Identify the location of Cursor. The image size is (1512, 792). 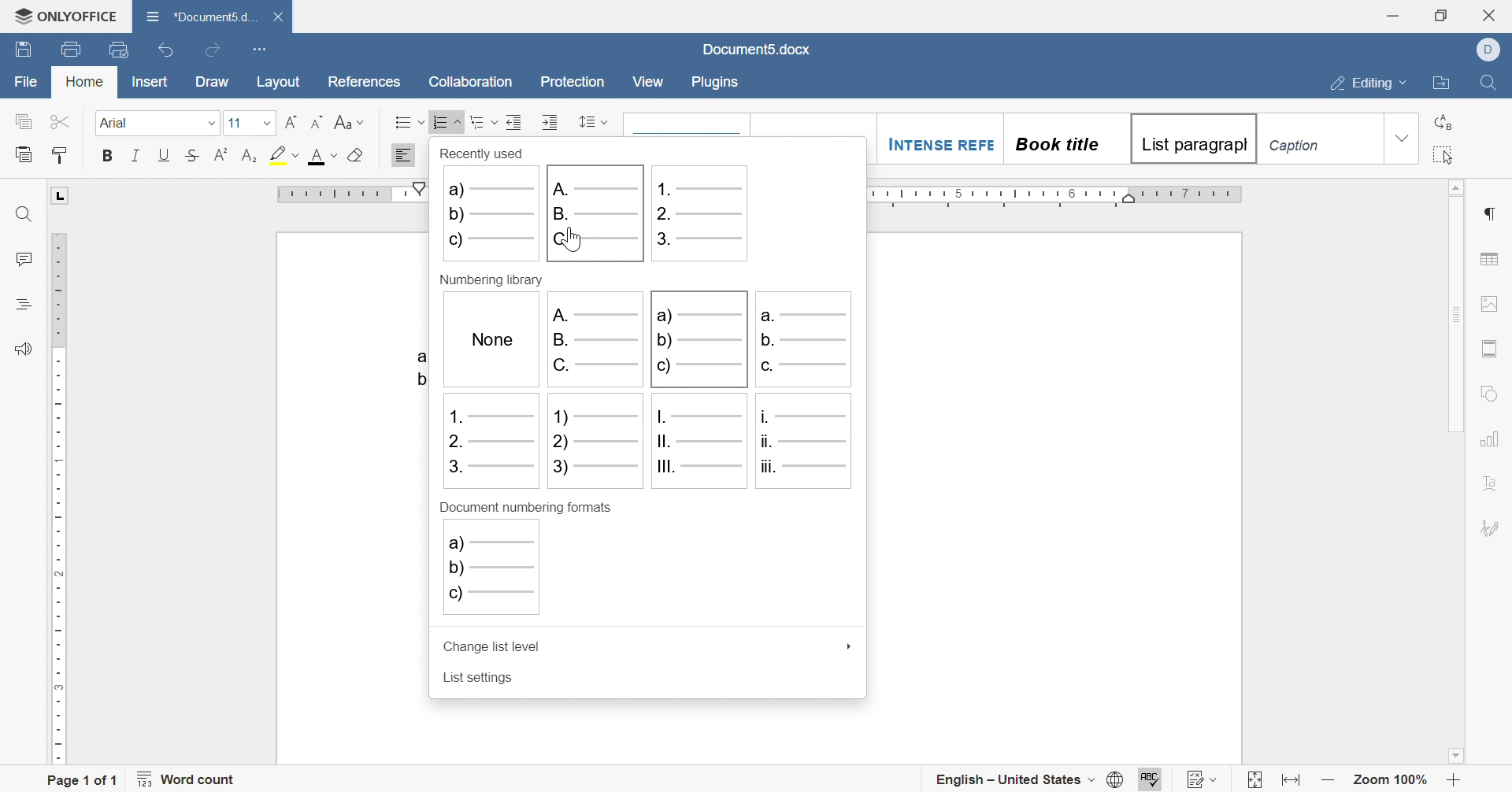
(573, 239).